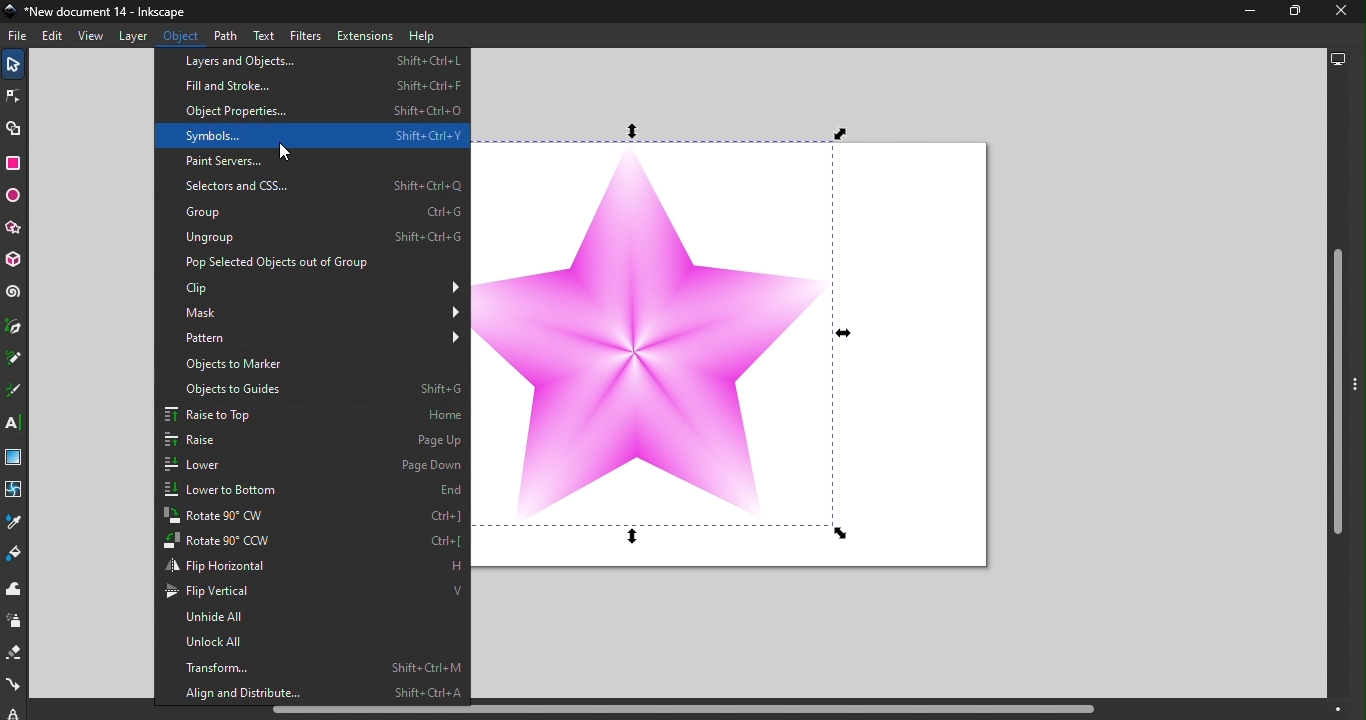  What do you see at coordinates (366, 34) in the screenshot?
I see `Extensions` at bounding box center [366, 34].